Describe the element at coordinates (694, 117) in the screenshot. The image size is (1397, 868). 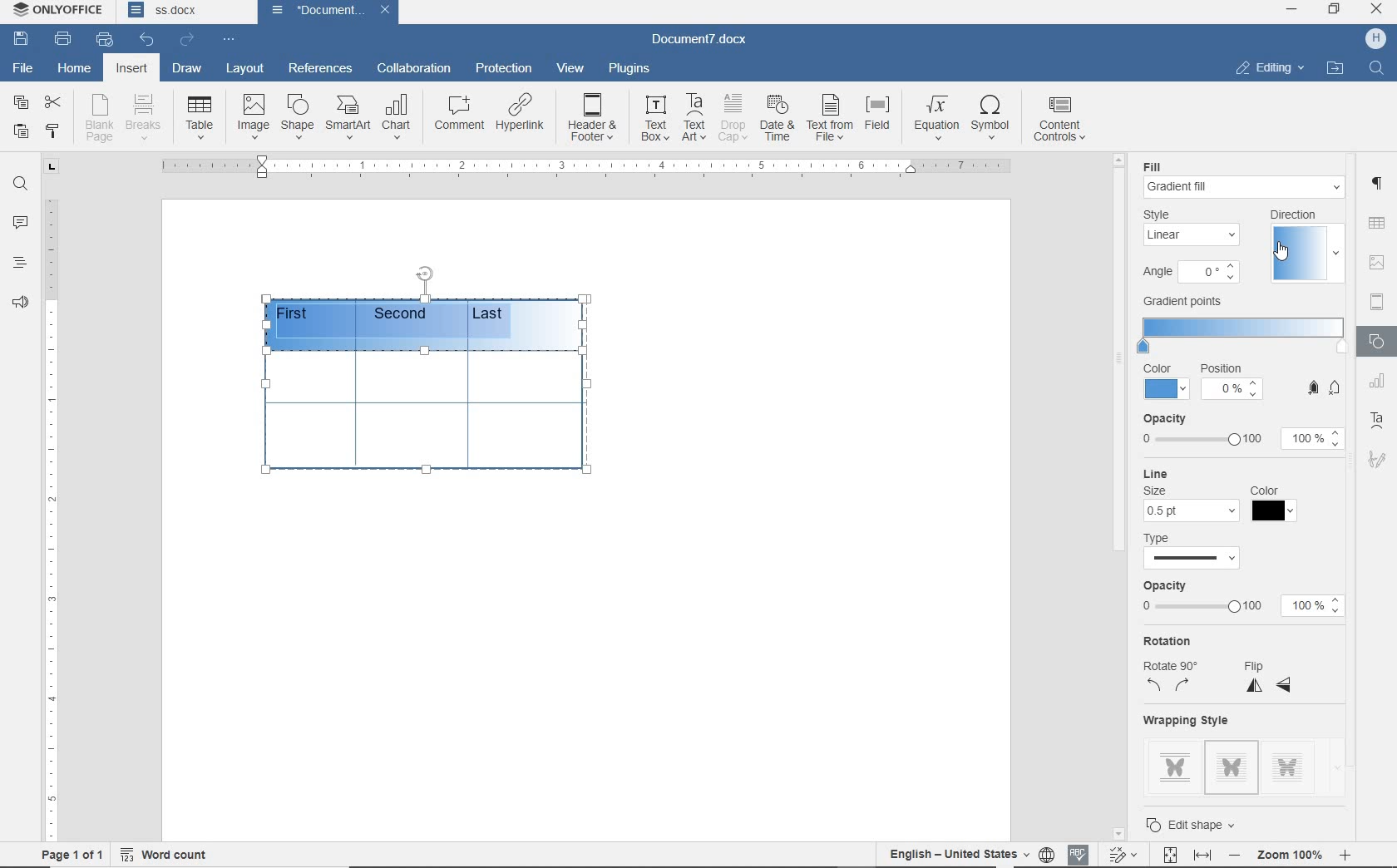
I see `text art` at that location.